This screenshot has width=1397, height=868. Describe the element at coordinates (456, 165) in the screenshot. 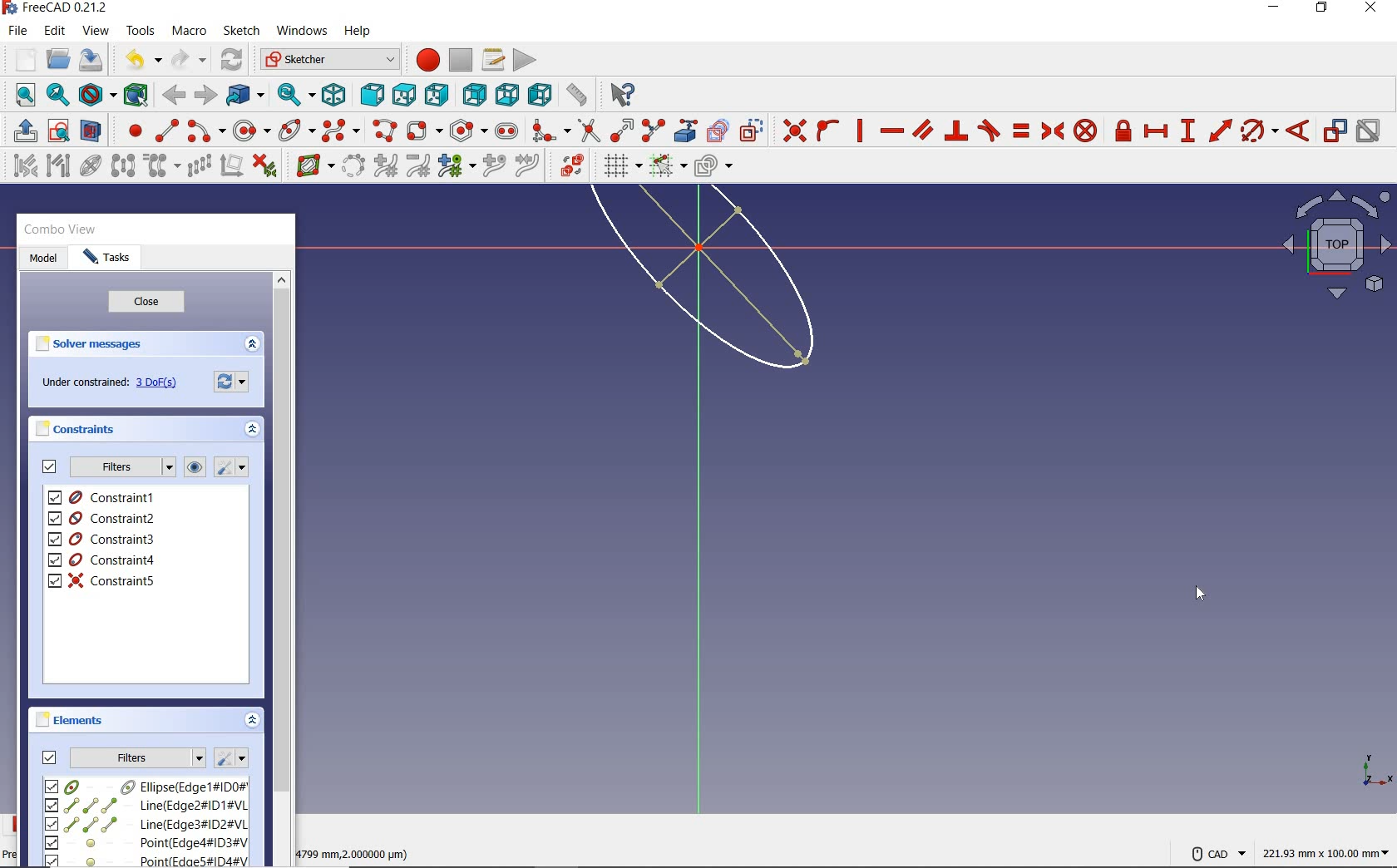

I see `modify knot multiplicity` at that location.